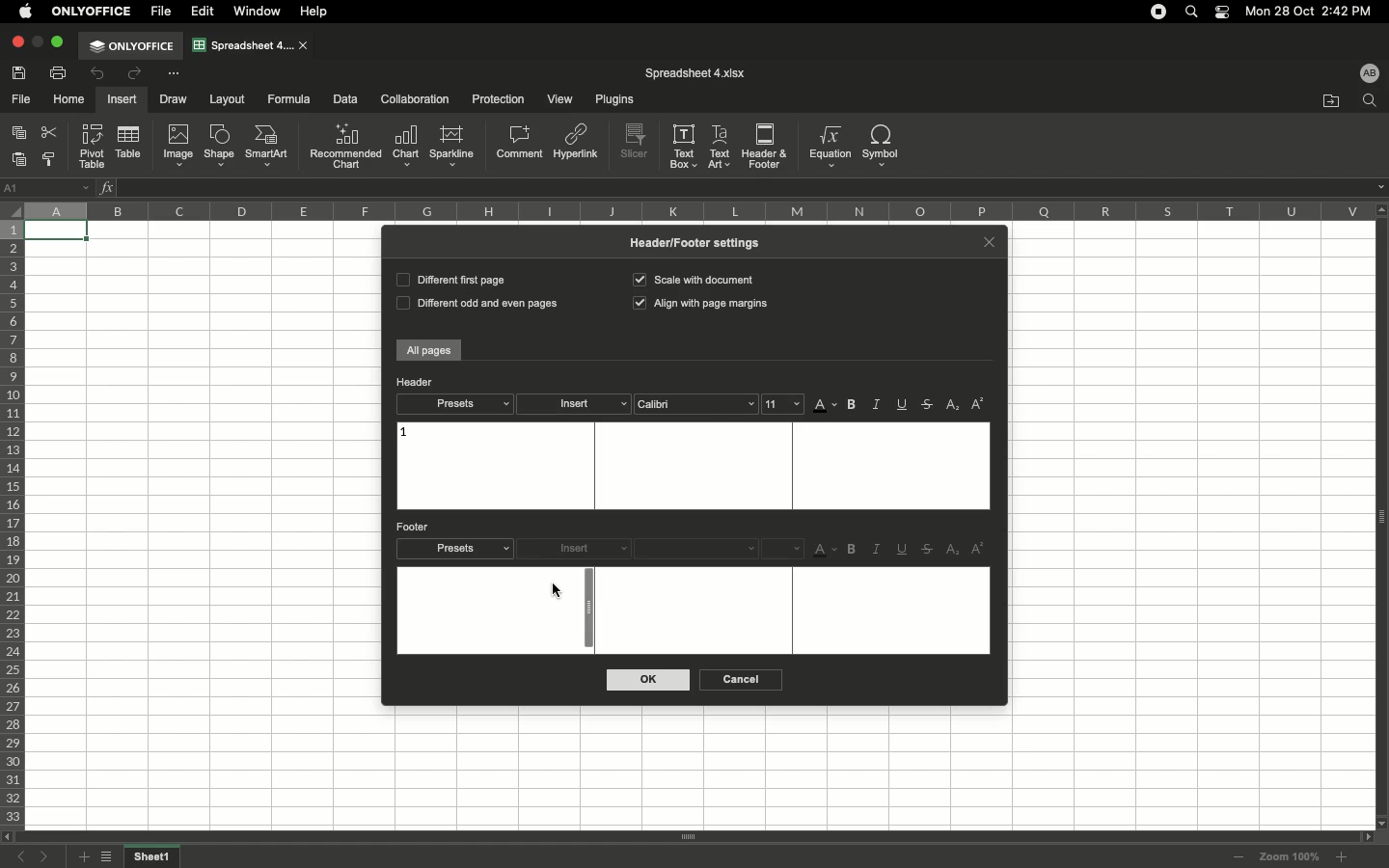  Describe the element at coordinates (178, 146) in the screenshot. I see `Image` at that location.